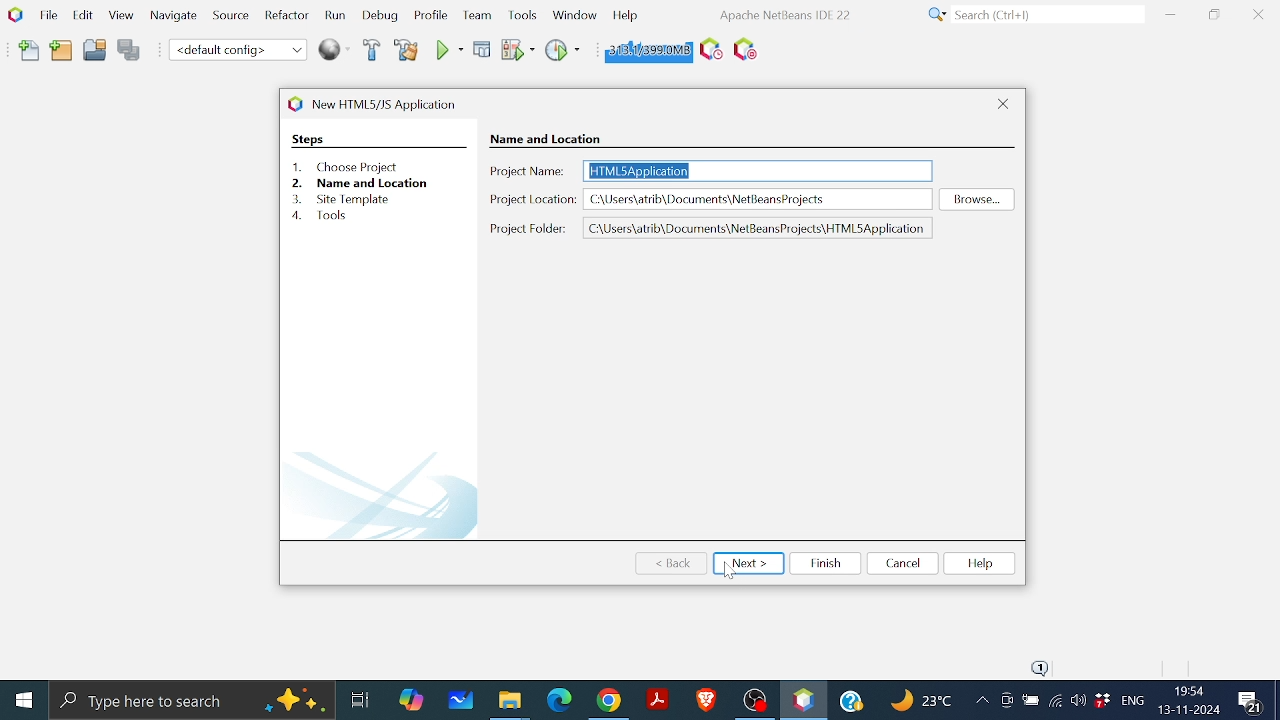  What do you see at coordinates (80, 14) in the screenshot?
I see `Edit` at bounding box center [80, 14].